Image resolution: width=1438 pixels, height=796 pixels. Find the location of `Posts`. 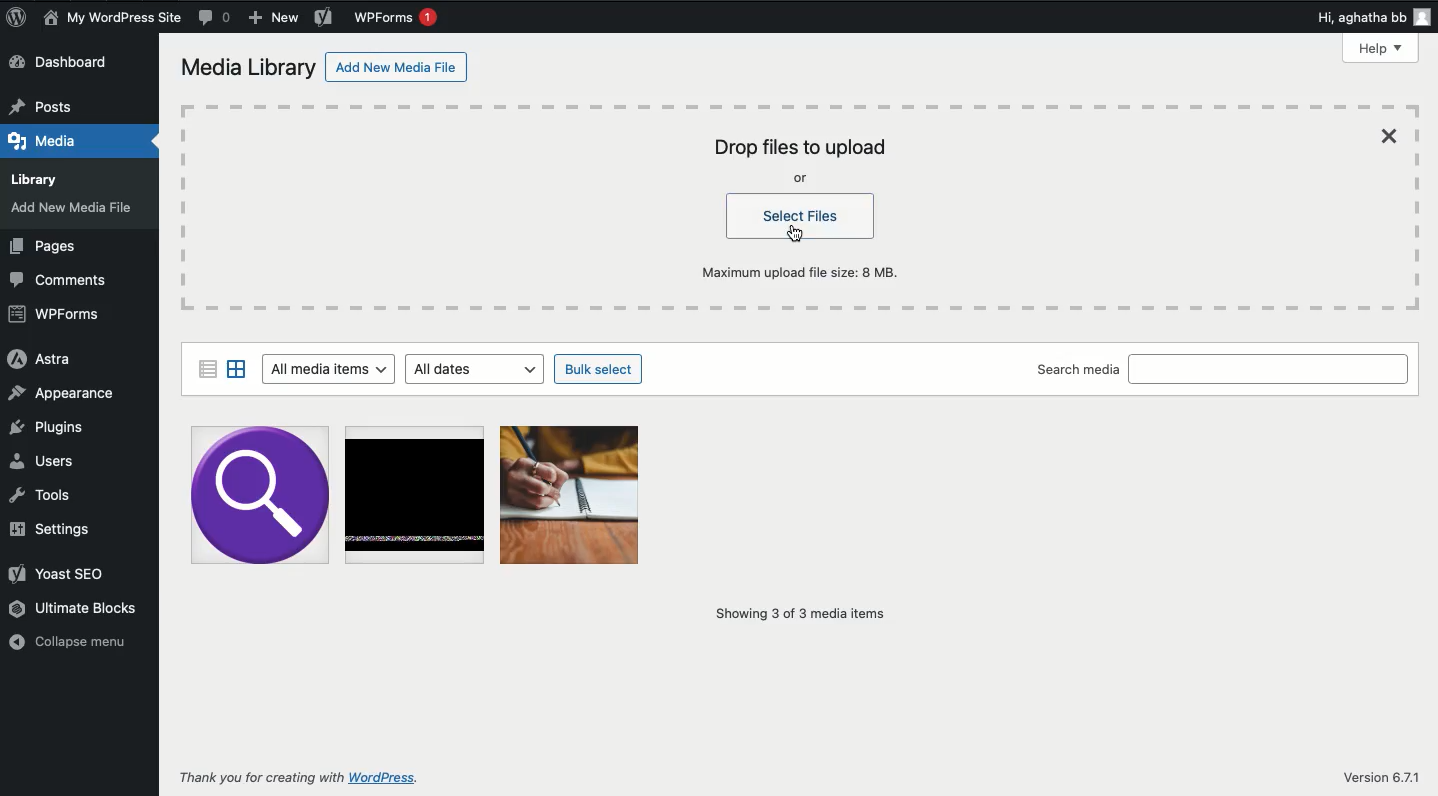

Posts is located at coordinates (47, 102).